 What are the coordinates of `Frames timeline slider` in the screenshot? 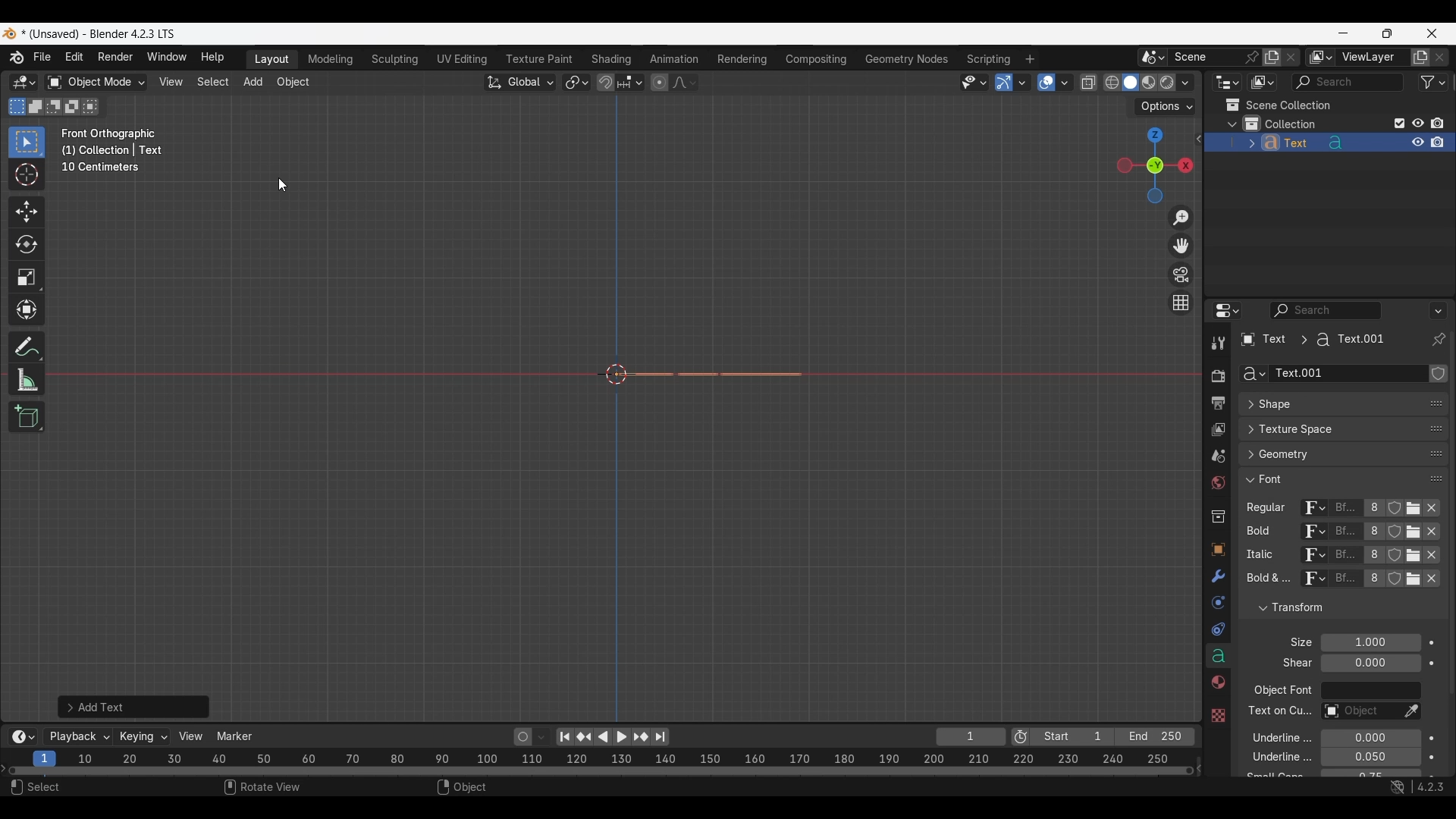 It's located at (600, 772).